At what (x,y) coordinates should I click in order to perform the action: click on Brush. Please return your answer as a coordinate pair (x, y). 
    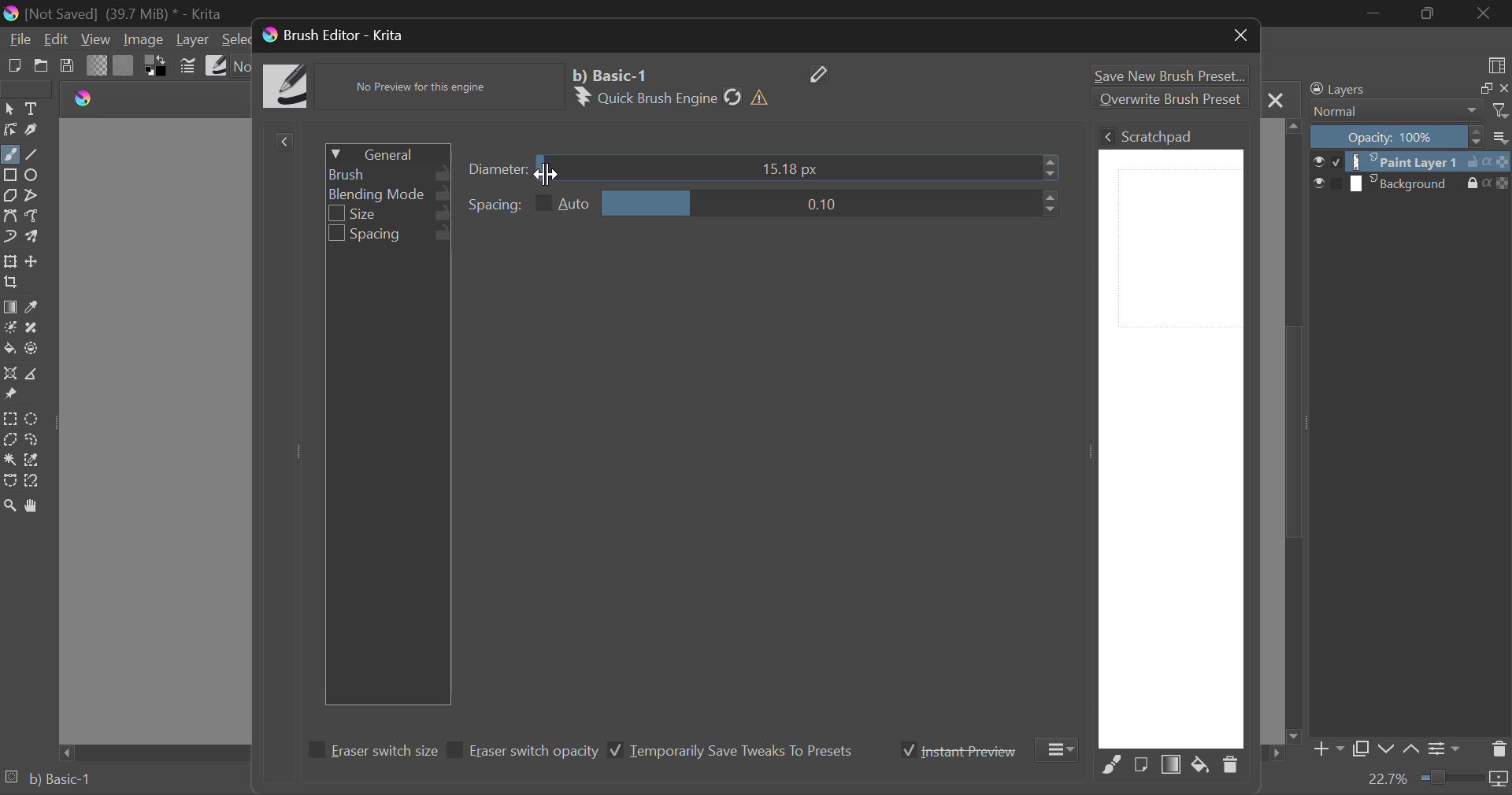
    Looking at the image, I should click on (387, 173).